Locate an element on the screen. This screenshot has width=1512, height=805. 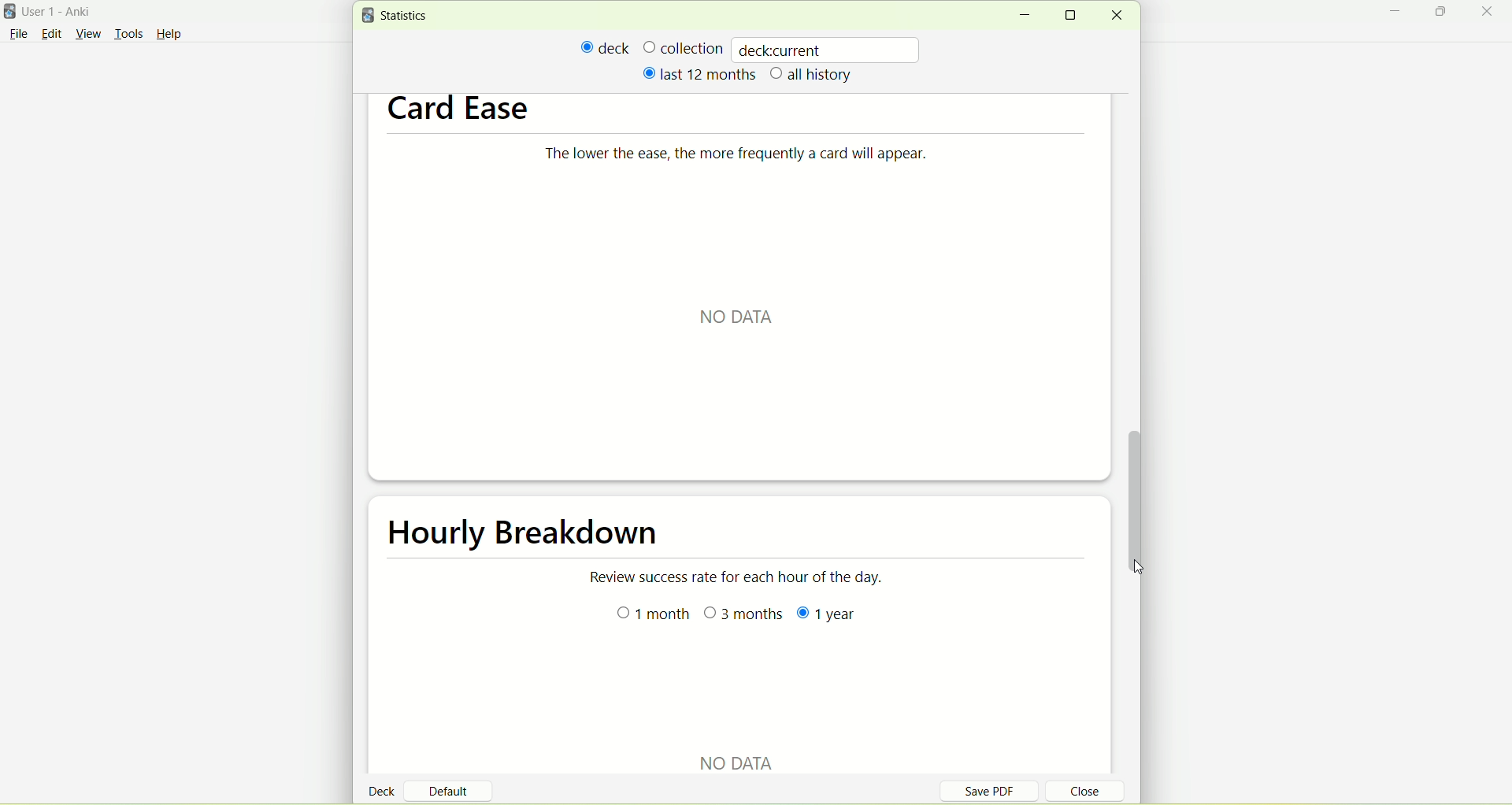
vertical scroll bar is located at coordinates (1135, 491).